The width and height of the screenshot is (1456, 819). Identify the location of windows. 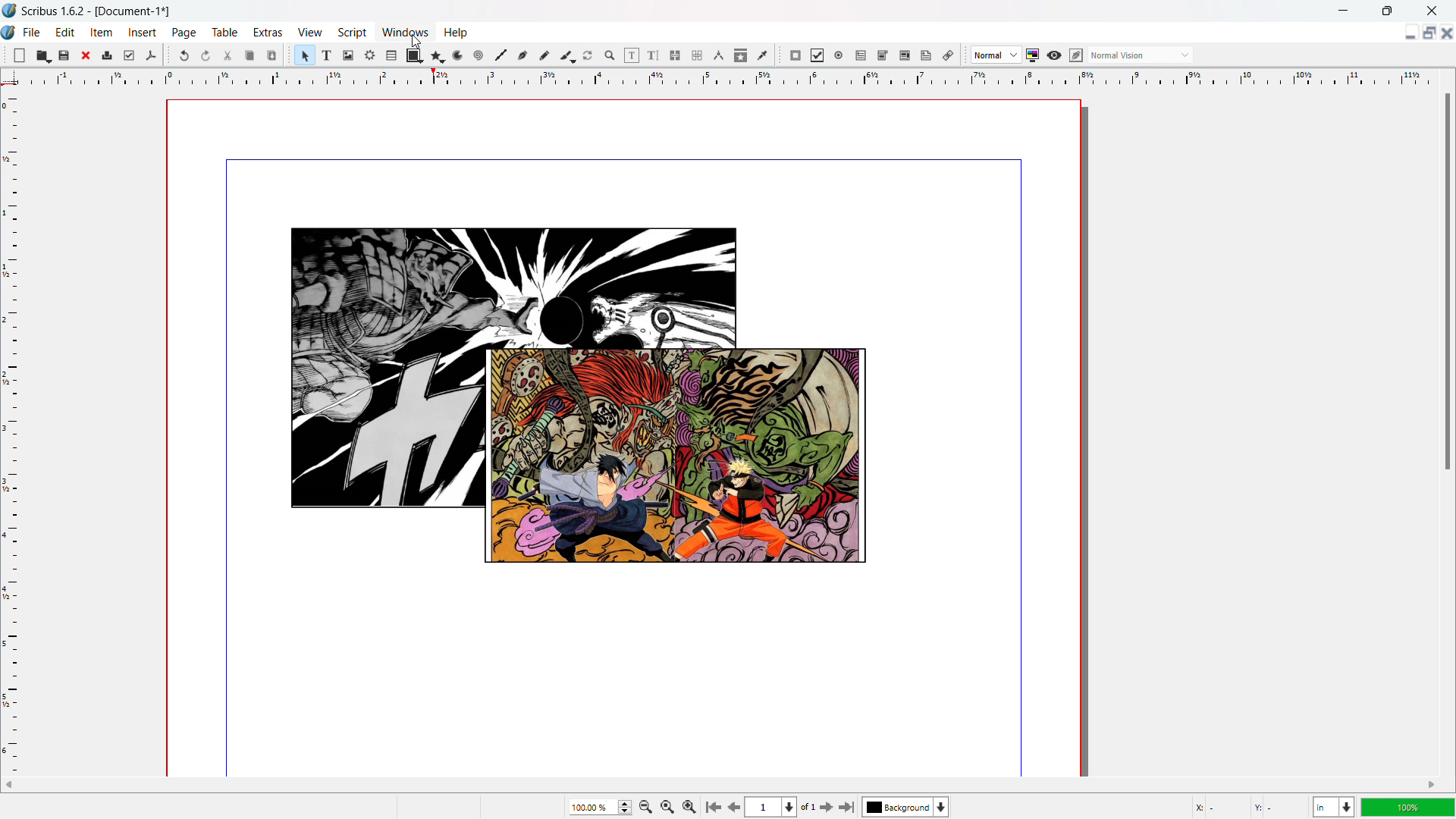
(403, 32).